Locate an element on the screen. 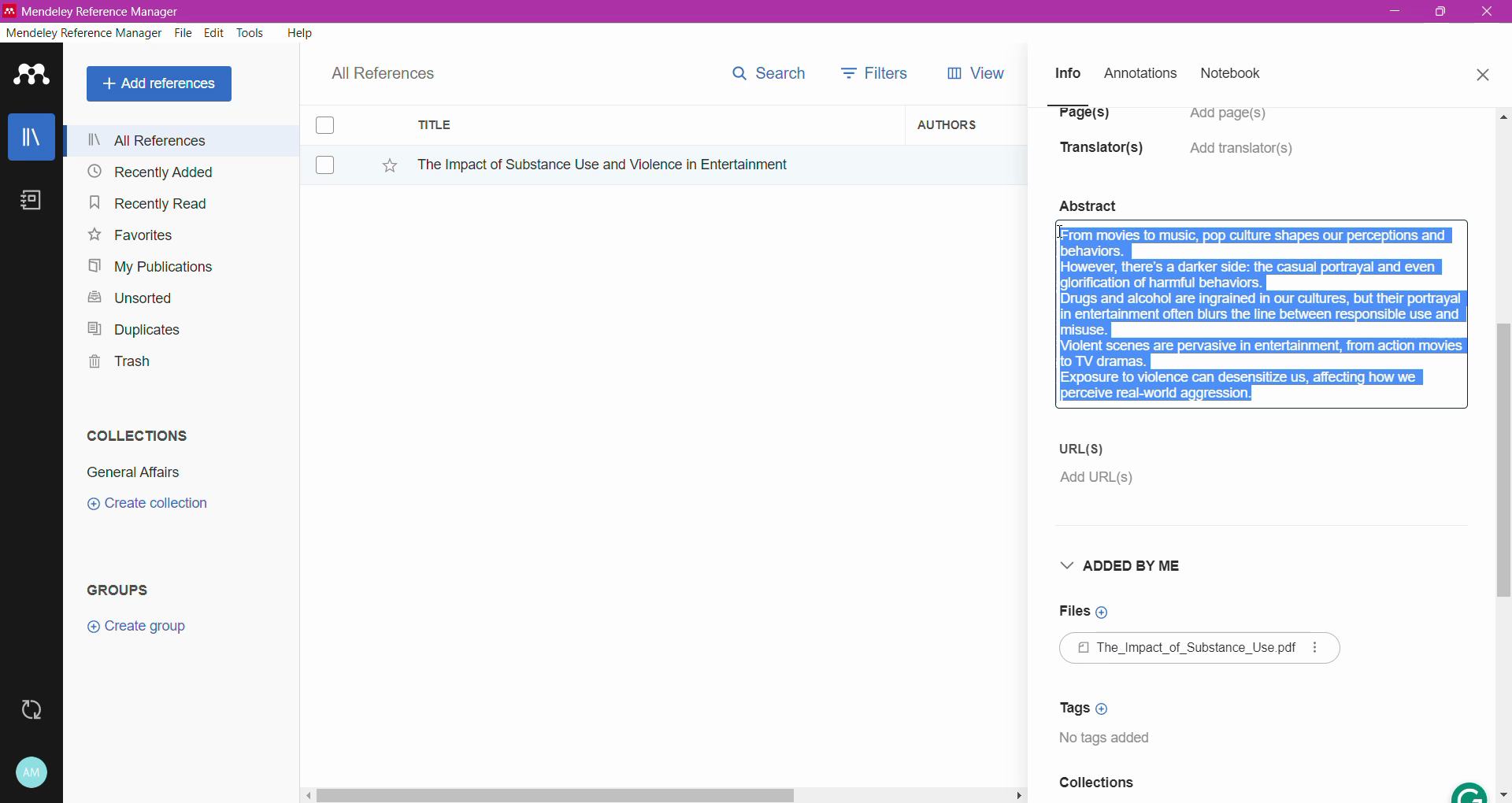 Image resolution: width=1512 pixels, height=803 pixels. Available File is located at coordinates (1203, 649).